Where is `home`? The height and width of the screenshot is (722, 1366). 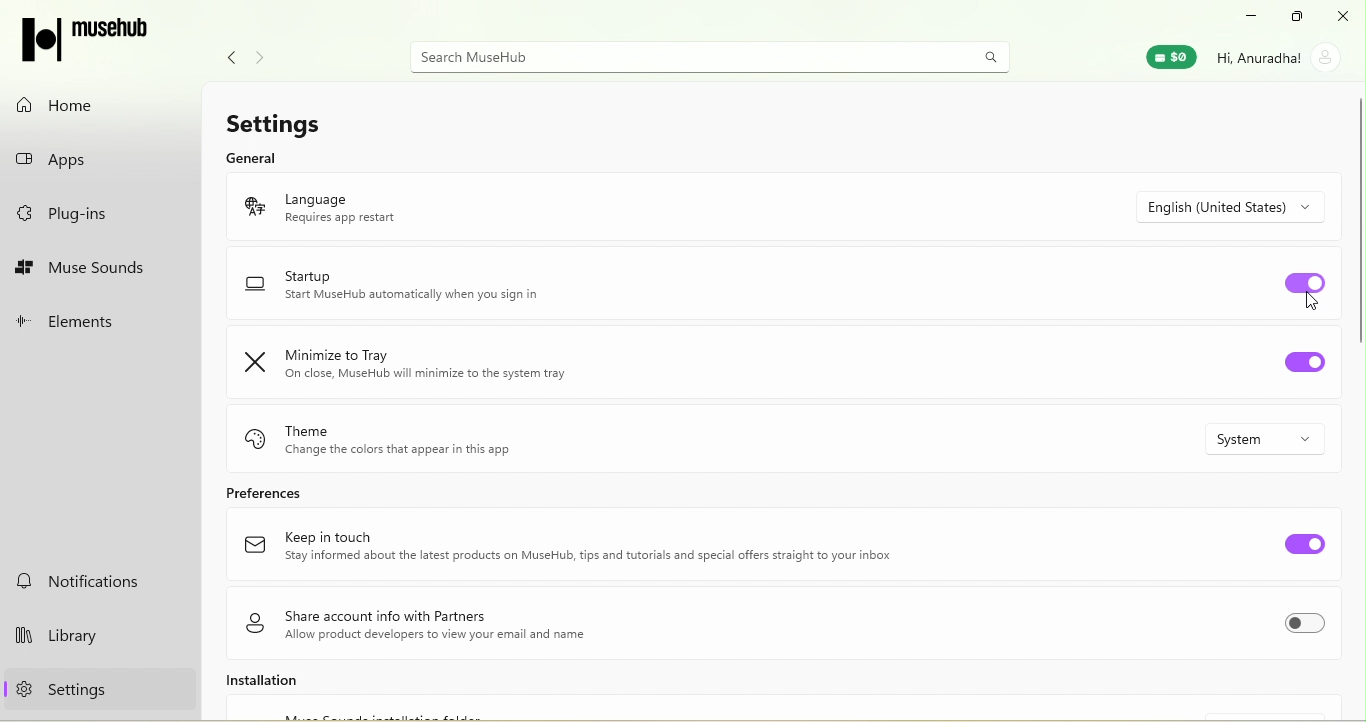
home is located at coordinates (88, 101).